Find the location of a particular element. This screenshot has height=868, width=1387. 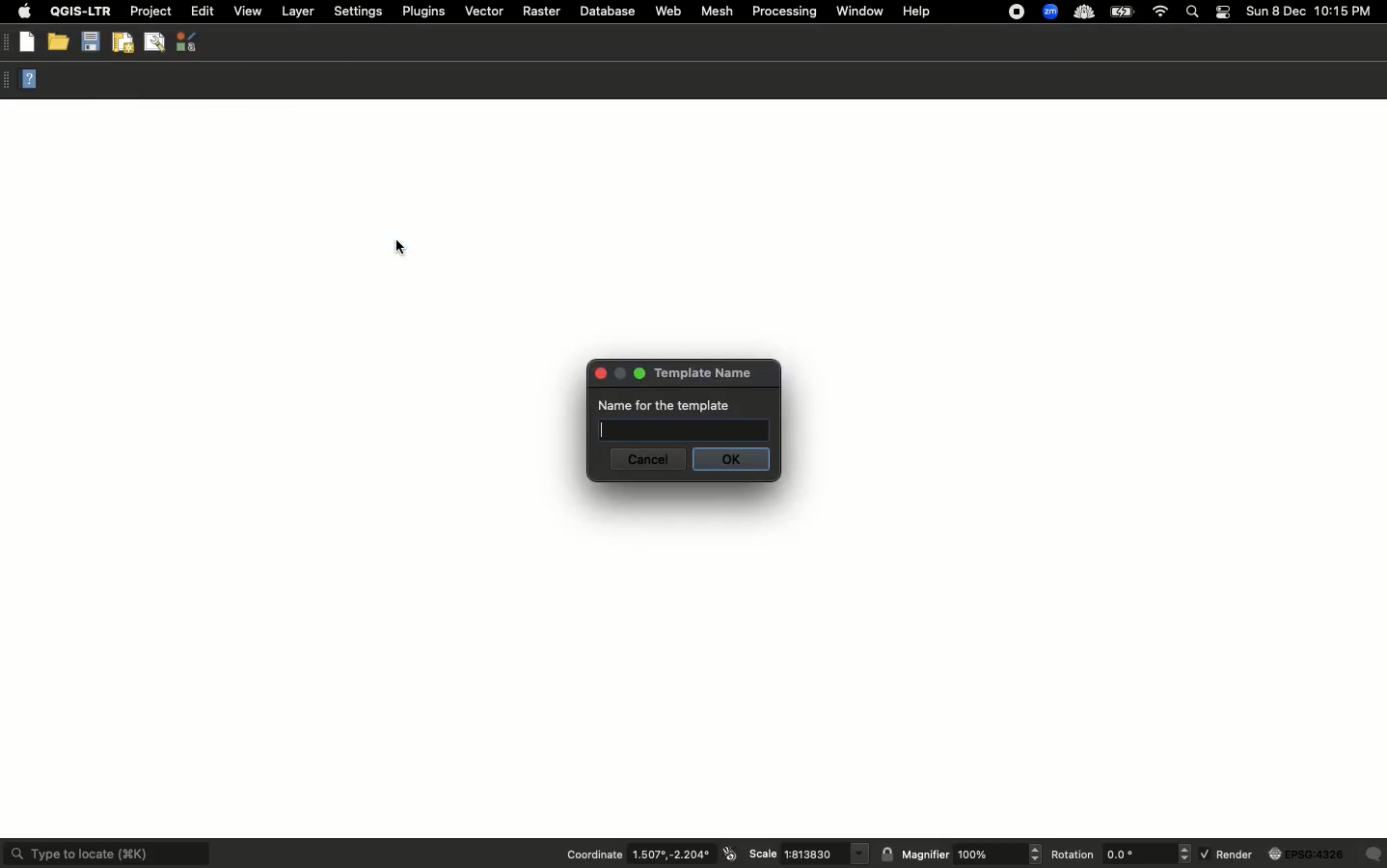

Cancel is located at coordinates (645, 460).